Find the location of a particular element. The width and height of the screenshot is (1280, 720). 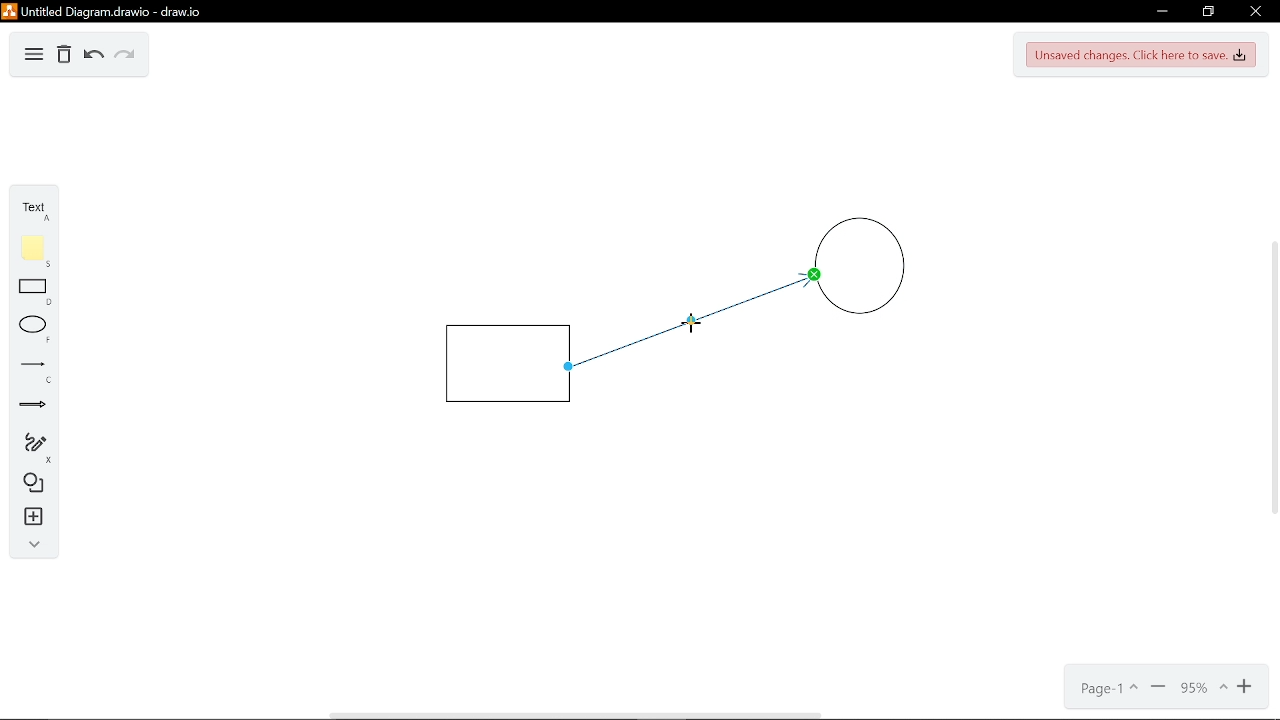

Diagram is located at coordinates (30, 482).